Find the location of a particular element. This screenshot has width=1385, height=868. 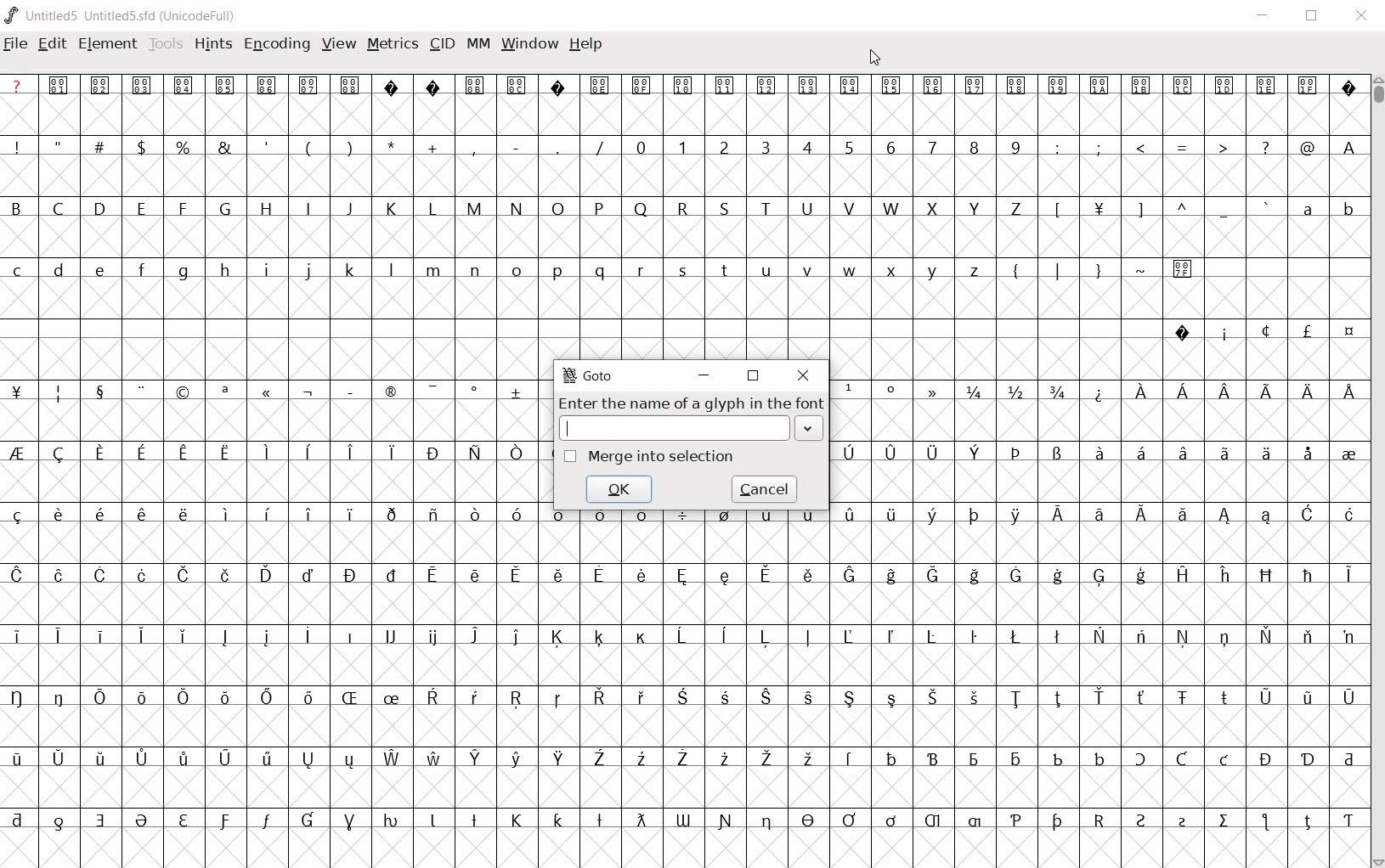

Symbol is located at coordinates (765, 518).